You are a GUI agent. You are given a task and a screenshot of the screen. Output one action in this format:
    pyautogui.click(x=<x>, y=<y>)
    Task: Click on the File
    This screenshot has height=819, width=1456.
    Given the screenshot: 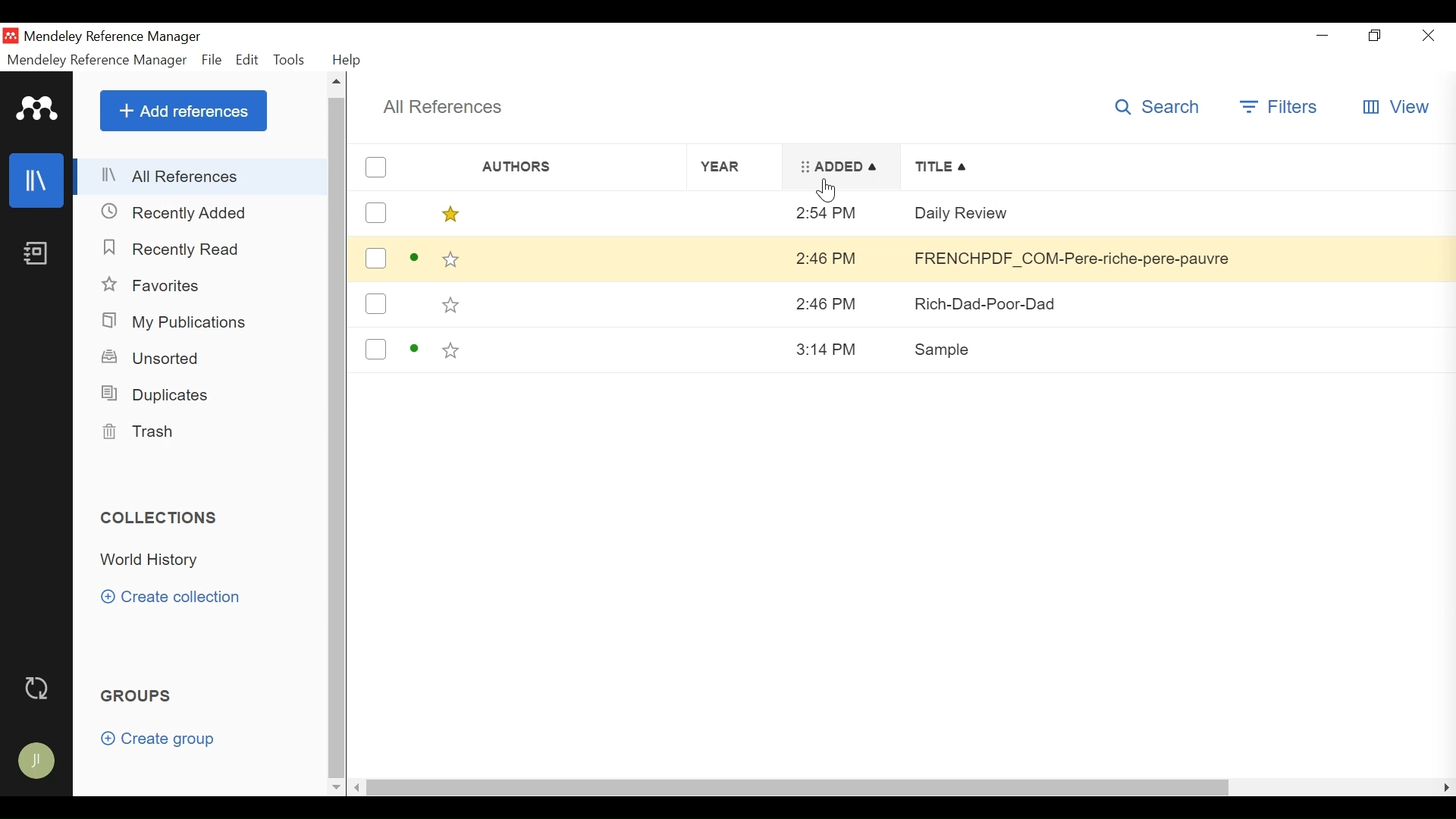 What is the action you would take?
    pyautogui.click(x=212, y=60)
    